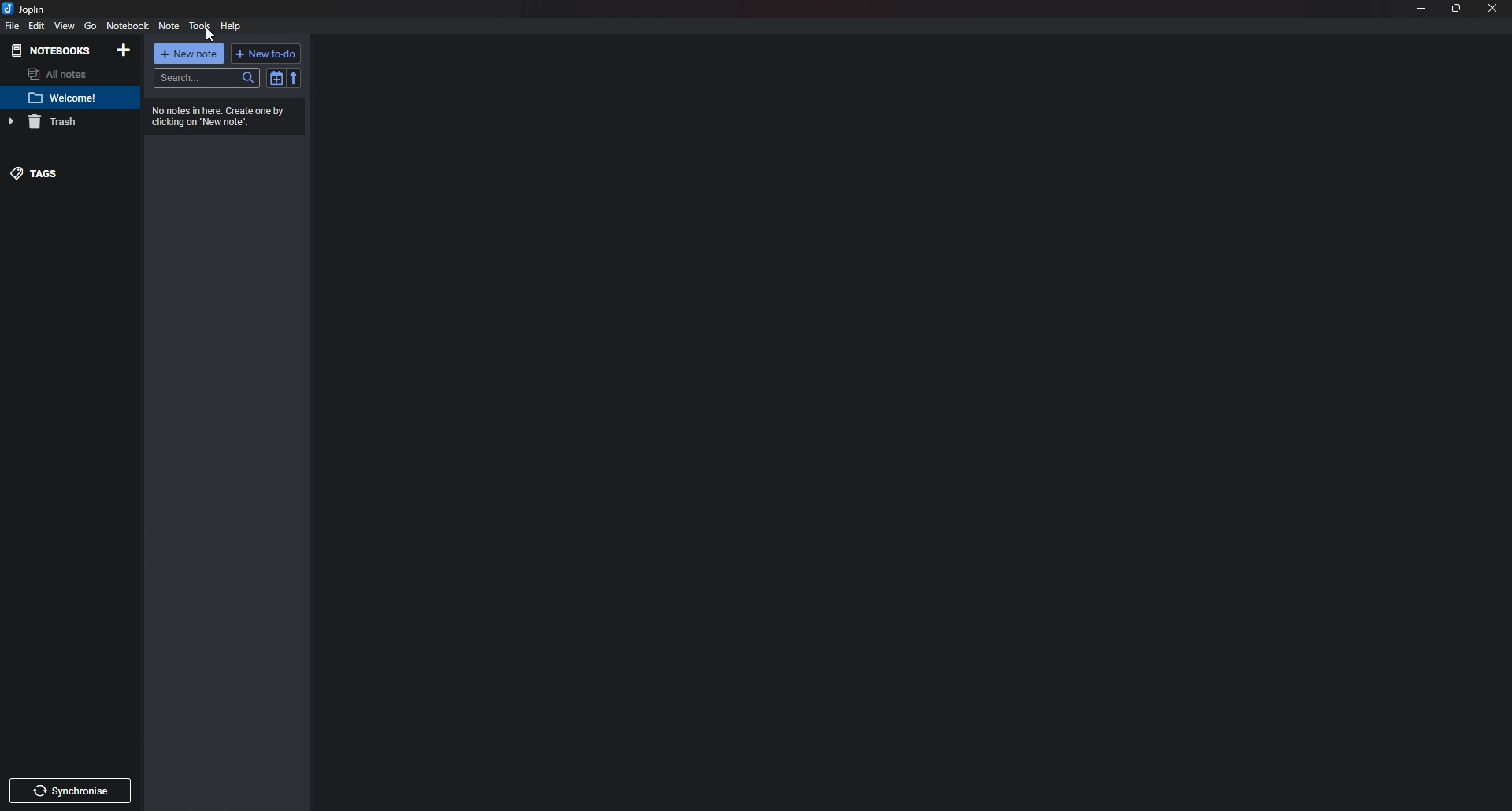 The width and height of the screenshot is (1512, 811). What do you see at coordinates (62, 123) in the screenshot?
I see `trash` at bounding box center [62, 123].